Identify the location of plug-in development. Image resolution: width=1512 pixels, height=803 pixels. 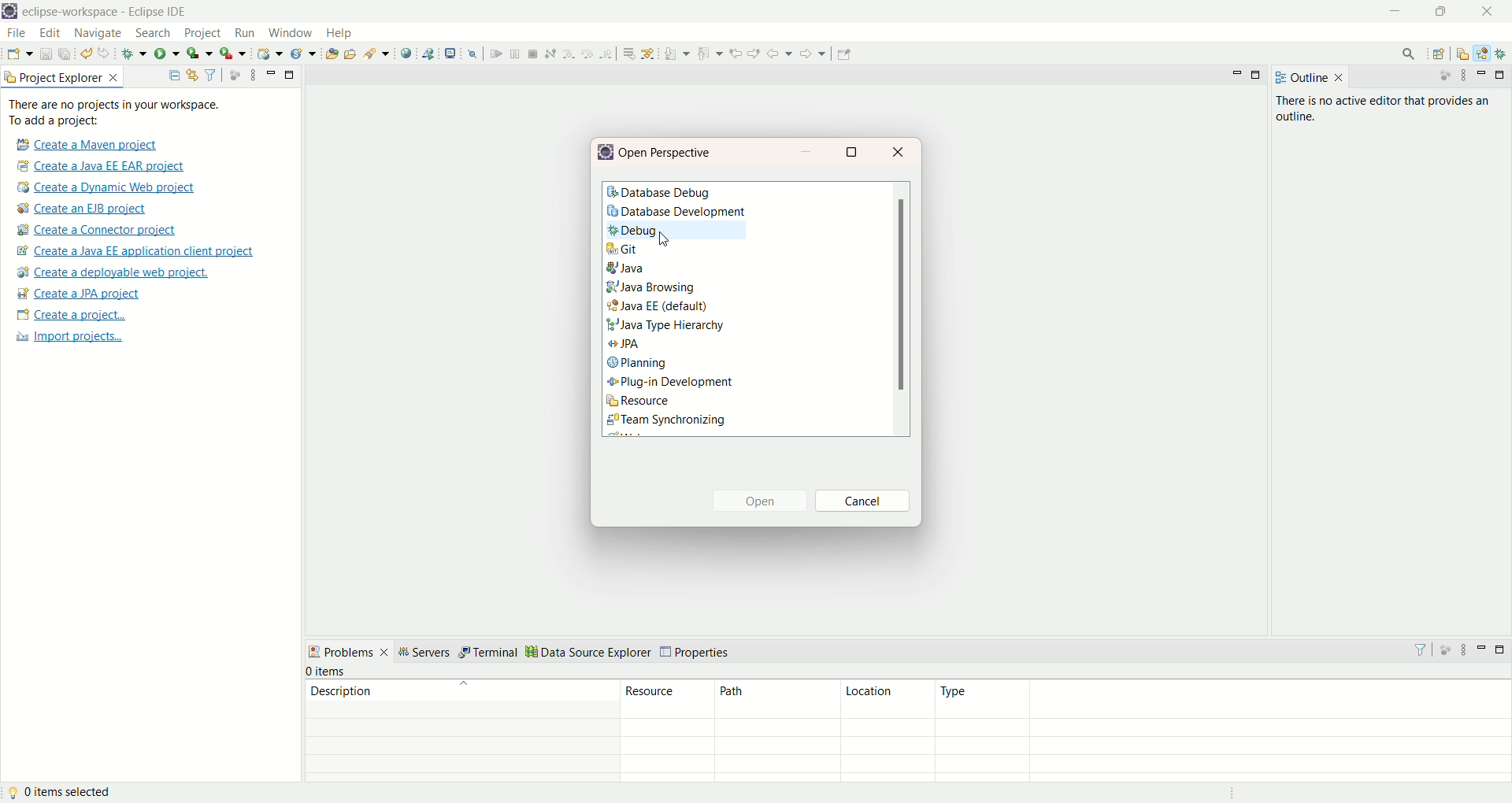
(672, 382).